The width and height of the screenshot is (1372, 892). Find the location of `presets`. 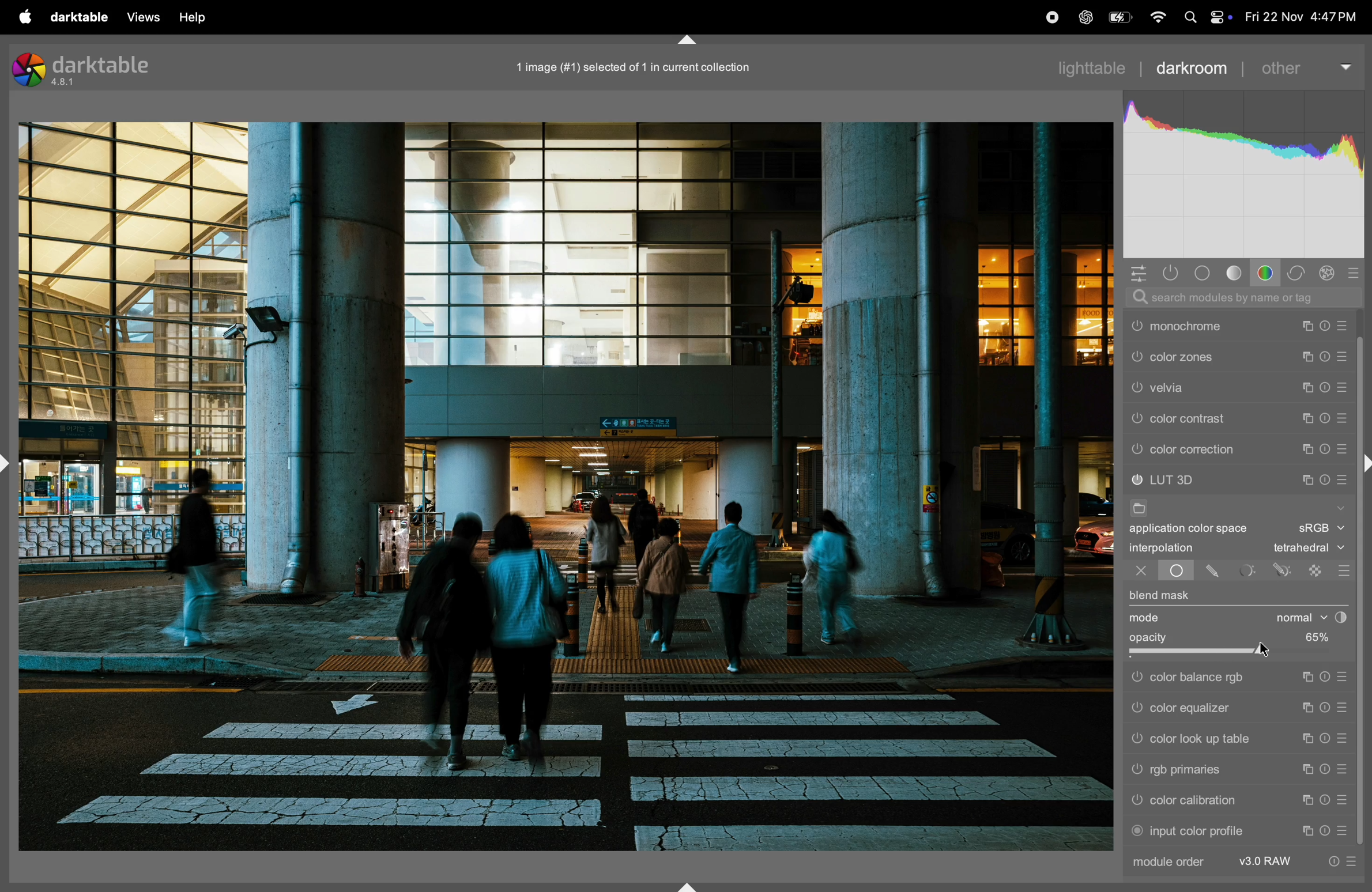

presets is located at coordinates (1345, 354).